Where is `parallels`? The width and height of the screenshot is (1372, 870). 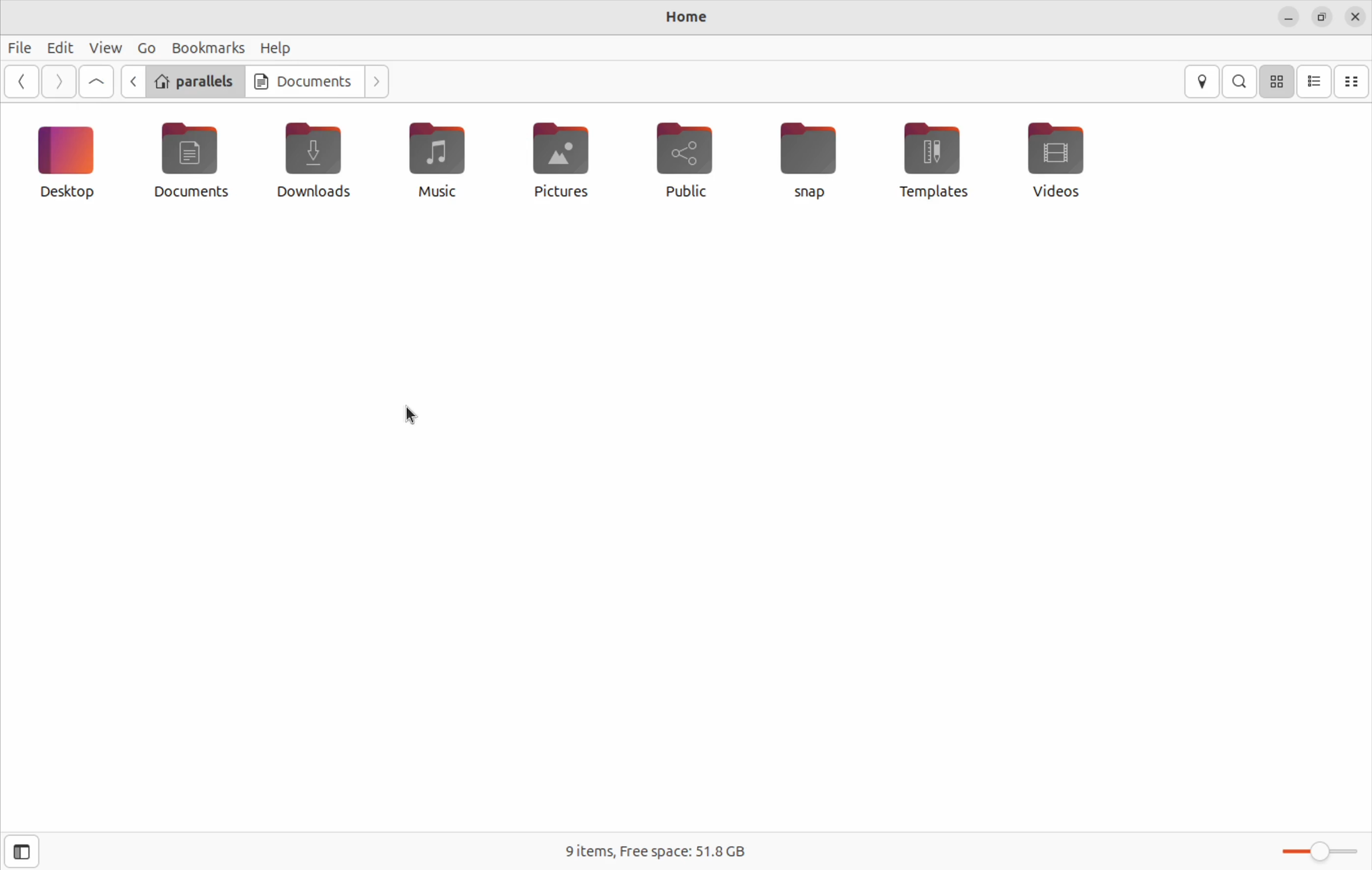 parallels is located at coordinates (195, 82).